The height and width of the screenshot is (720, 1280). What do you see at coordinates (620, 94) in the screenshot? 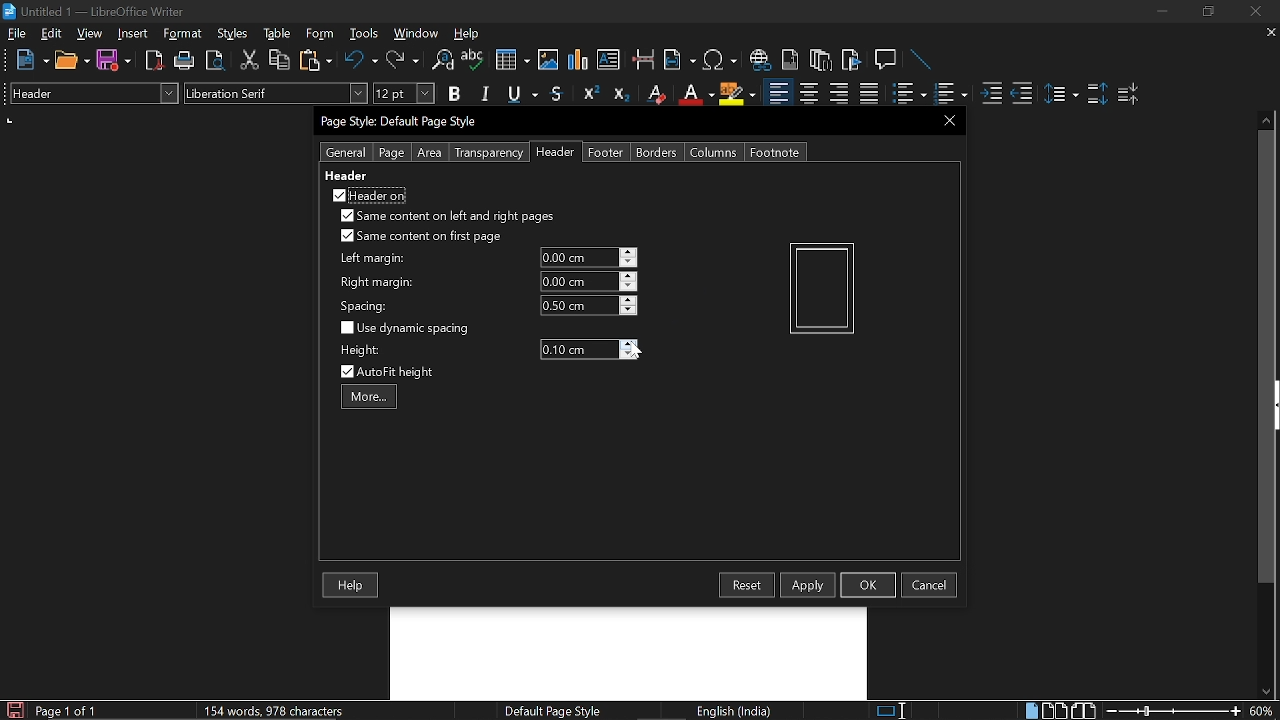
I see `Subscript` at bounding box center [620, 94].